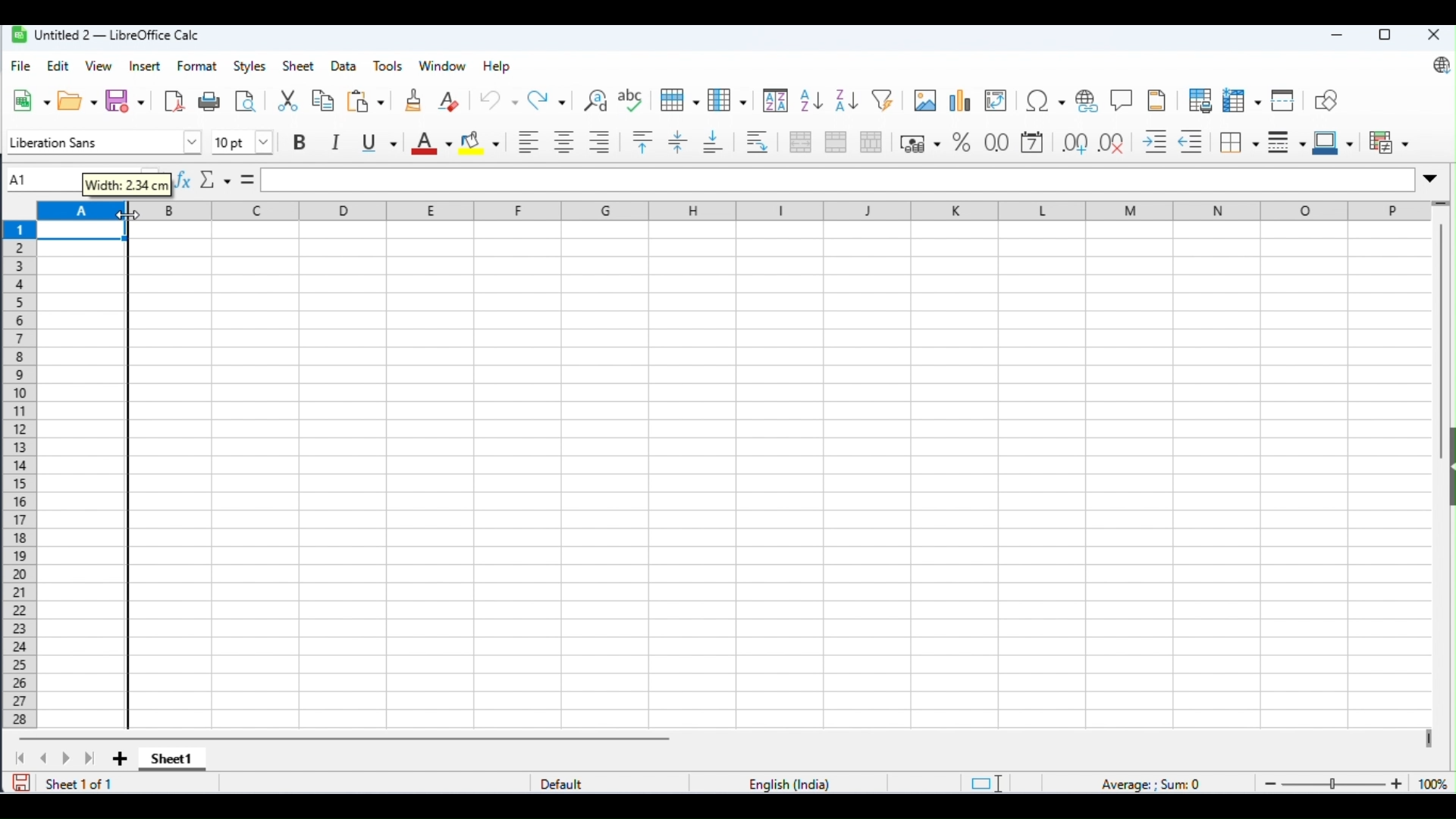  What do you see at coordinates (872, 141) in the screenshot?
I see `unmerge cells` at bounding box center [872, 141].